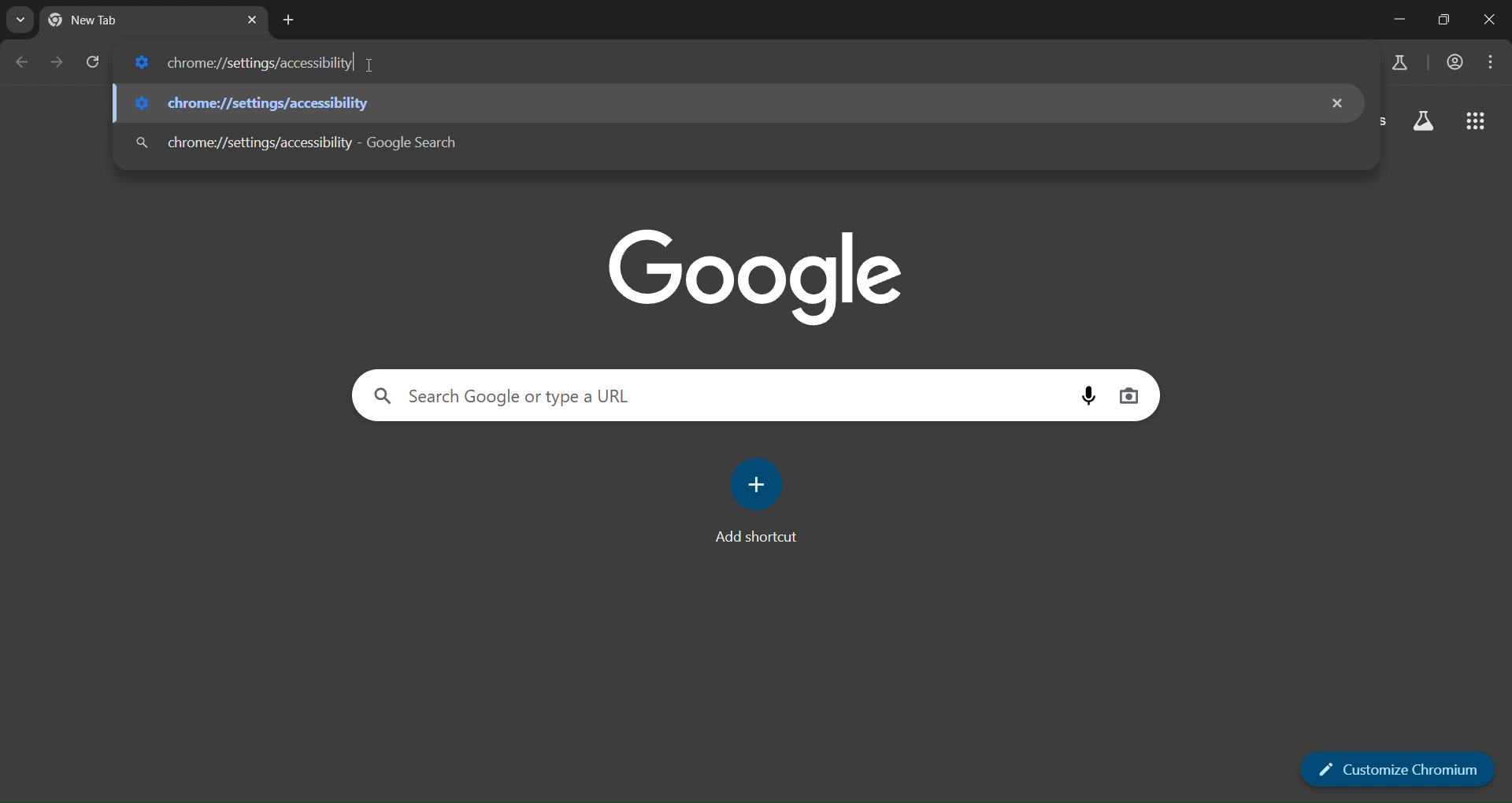 This screenshot has width=1512, height=803. Describe the element at coordinates (1337, 101) in the screenshot. I see `remove` at that location.